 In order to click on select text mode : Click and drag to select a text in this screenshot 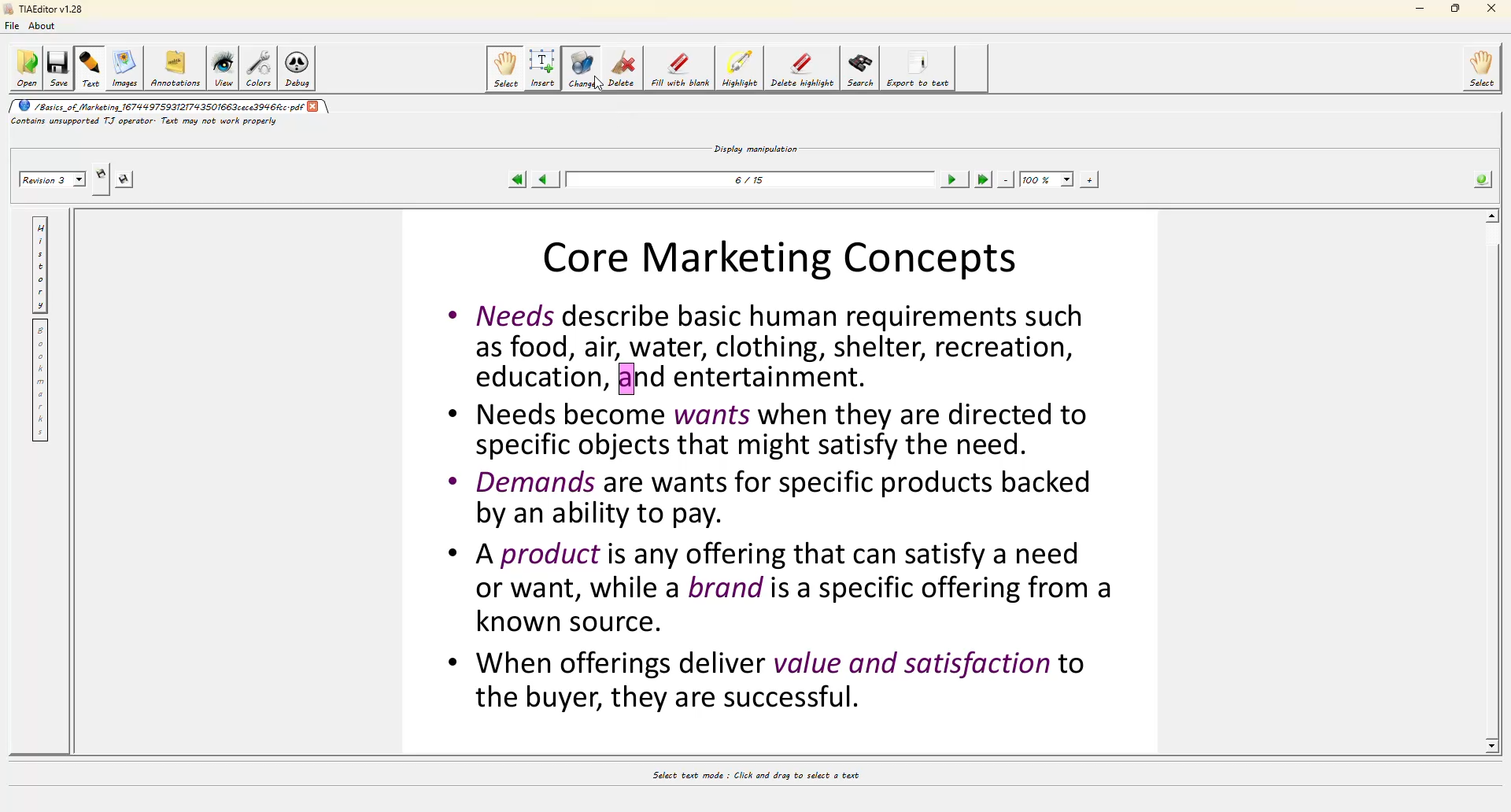, I will do `click(772, 777)`.